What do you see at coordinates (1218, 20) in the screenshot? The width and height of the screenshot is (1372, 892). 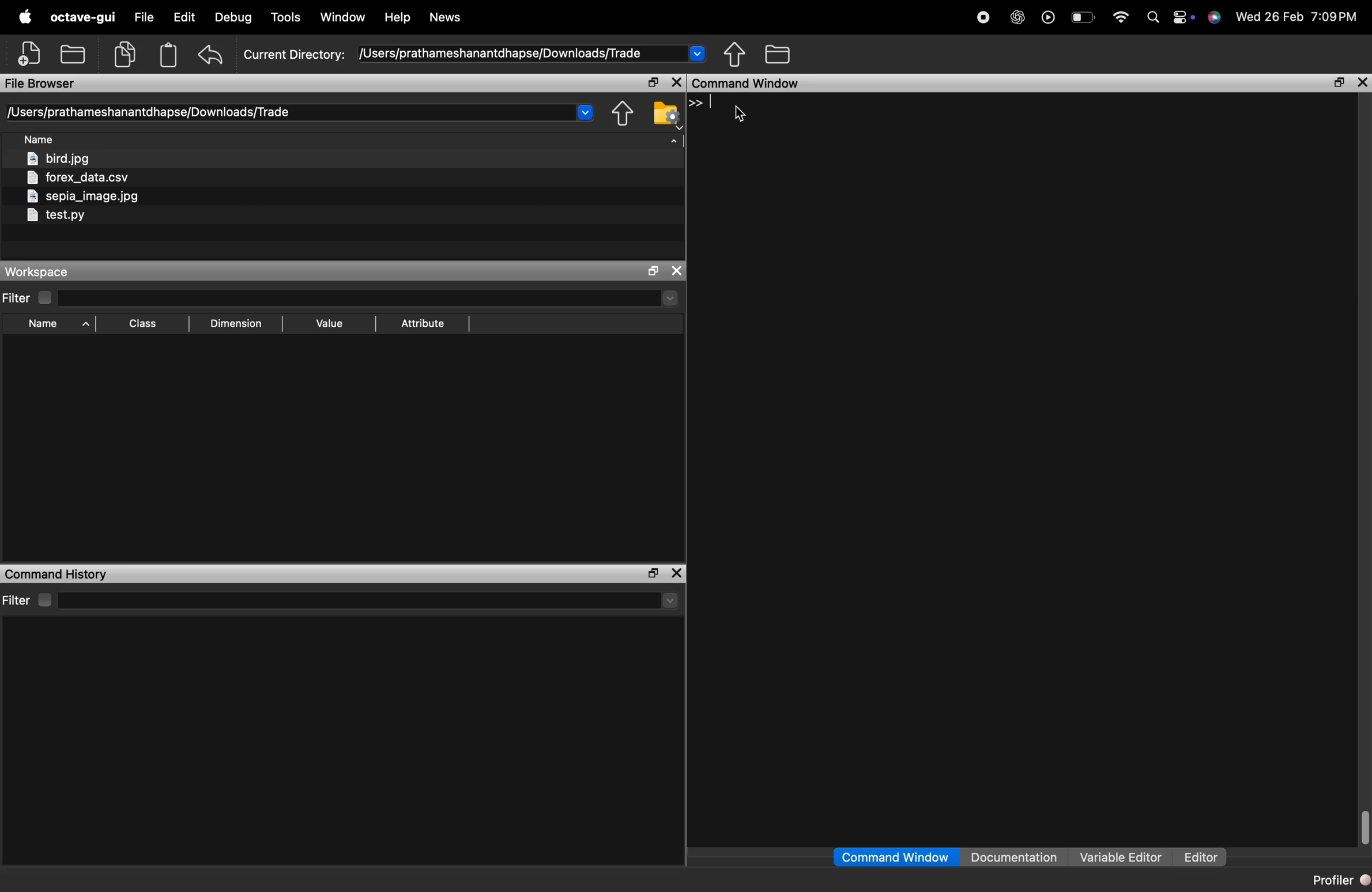 I see `support` at bounding box center [1218, 20].